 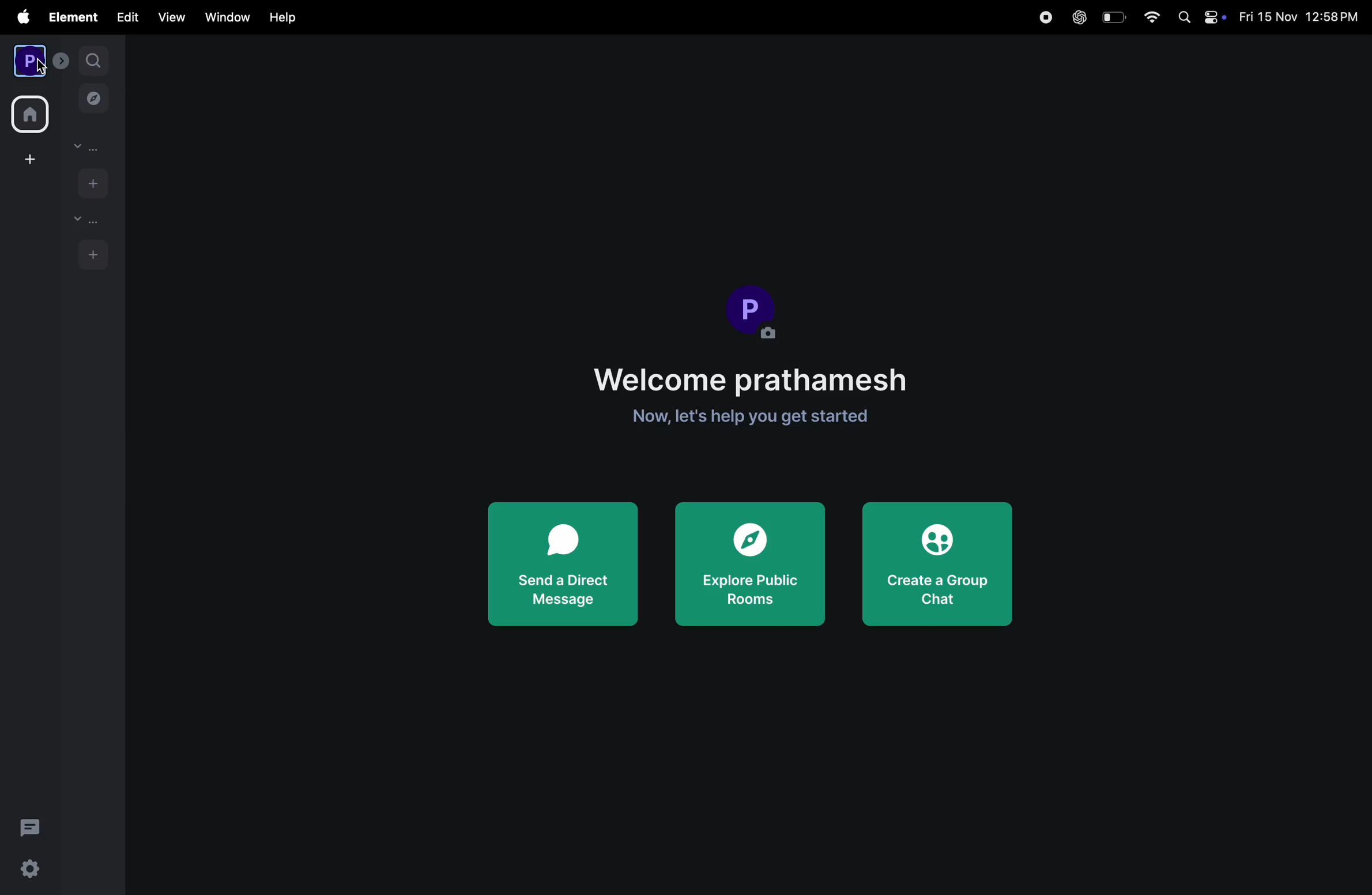 I want to click on record, so click(x=1043, y=17).